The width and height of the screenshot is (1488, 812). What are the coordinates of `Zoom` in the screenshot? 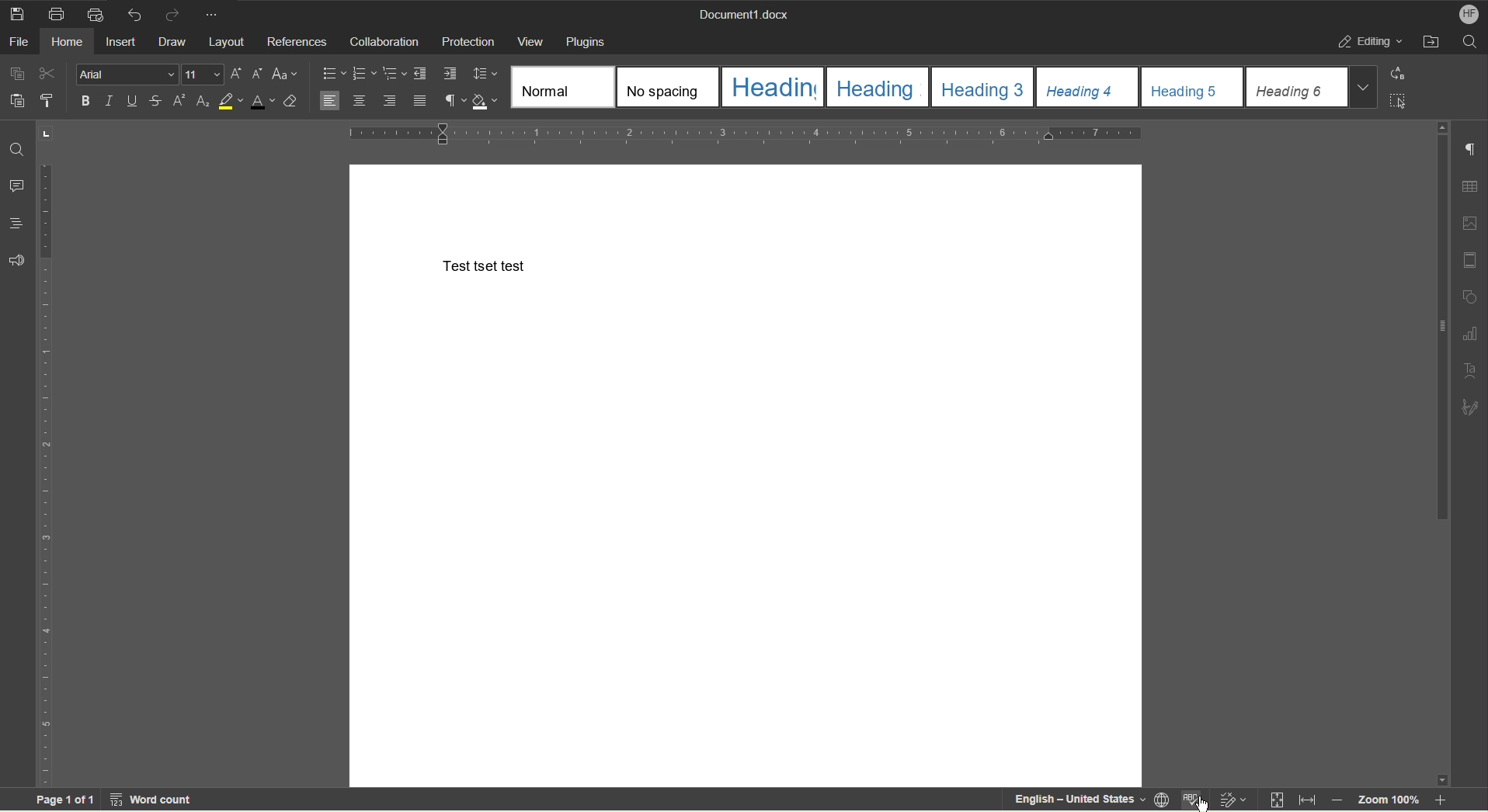 It's located at (1395, 800).